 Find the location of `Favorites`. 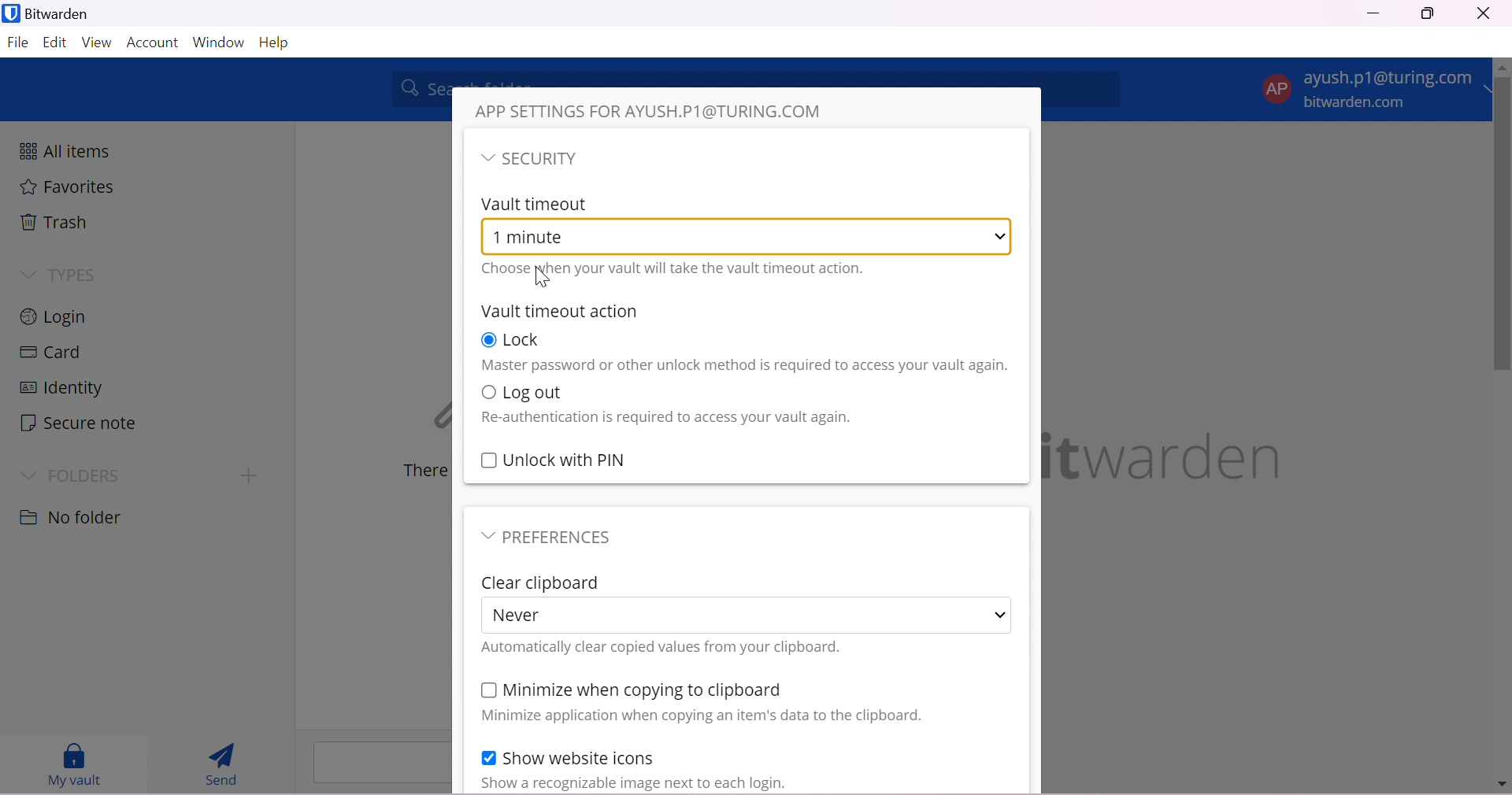

Favorites is located at coordinates (69, 187).